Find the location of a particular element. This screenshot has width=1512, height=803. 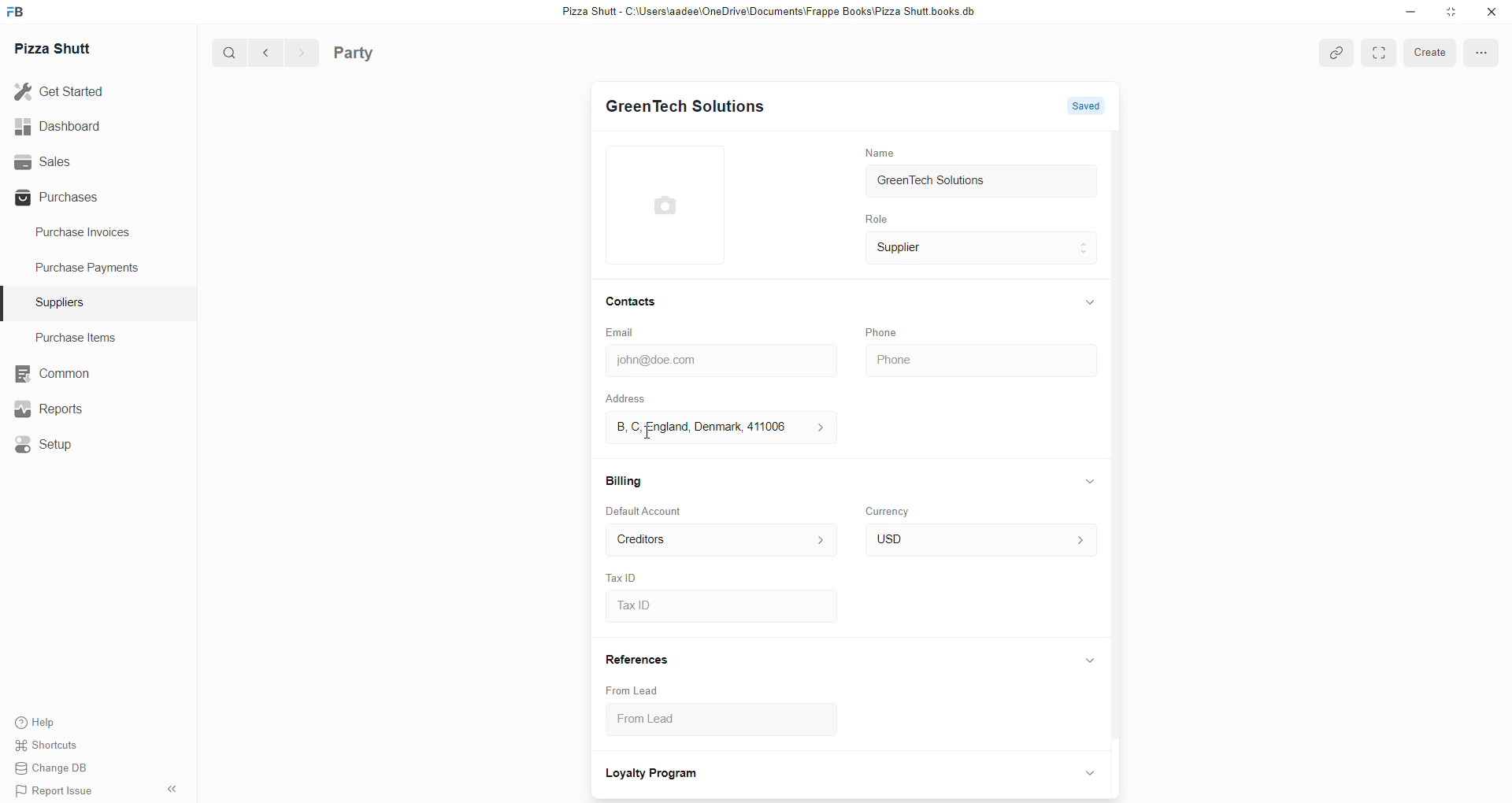

Purchases is located at coordinates (76, 197).